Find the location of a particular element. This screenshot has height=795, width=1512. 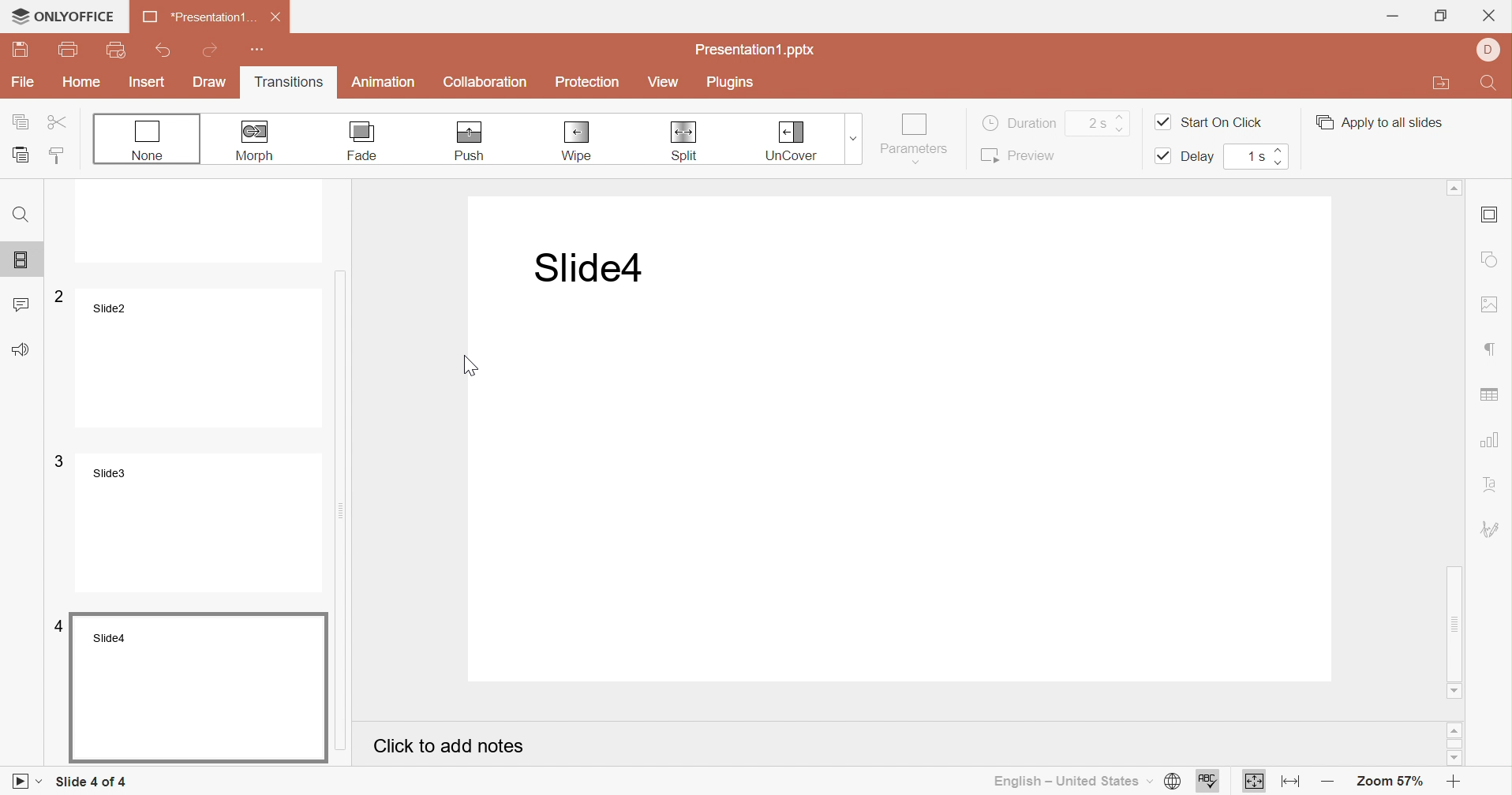

Slides is located at coordinates (20, 259).